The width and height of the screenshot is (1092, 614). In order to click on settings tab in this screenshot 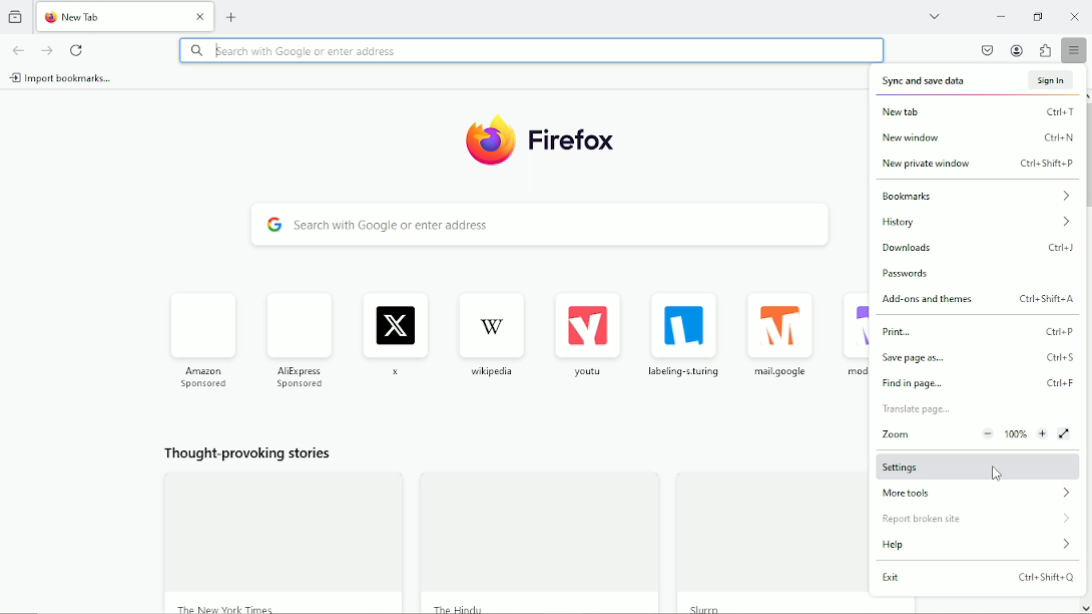, I will do `click(126, 16)`.